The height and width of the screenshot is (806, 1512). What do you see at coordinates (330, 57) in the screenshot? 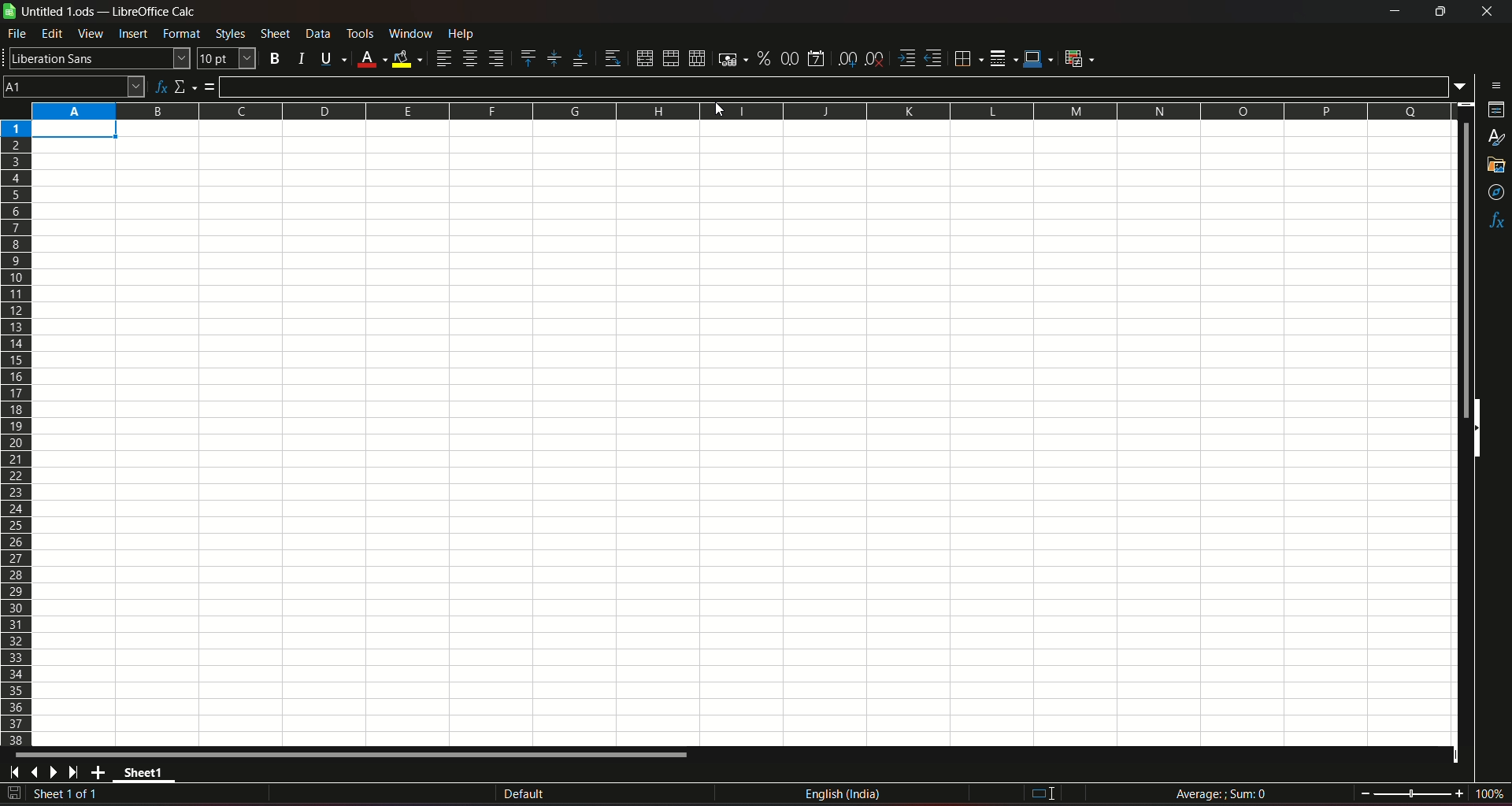
I see `underline` at bounding box center [330, 57].